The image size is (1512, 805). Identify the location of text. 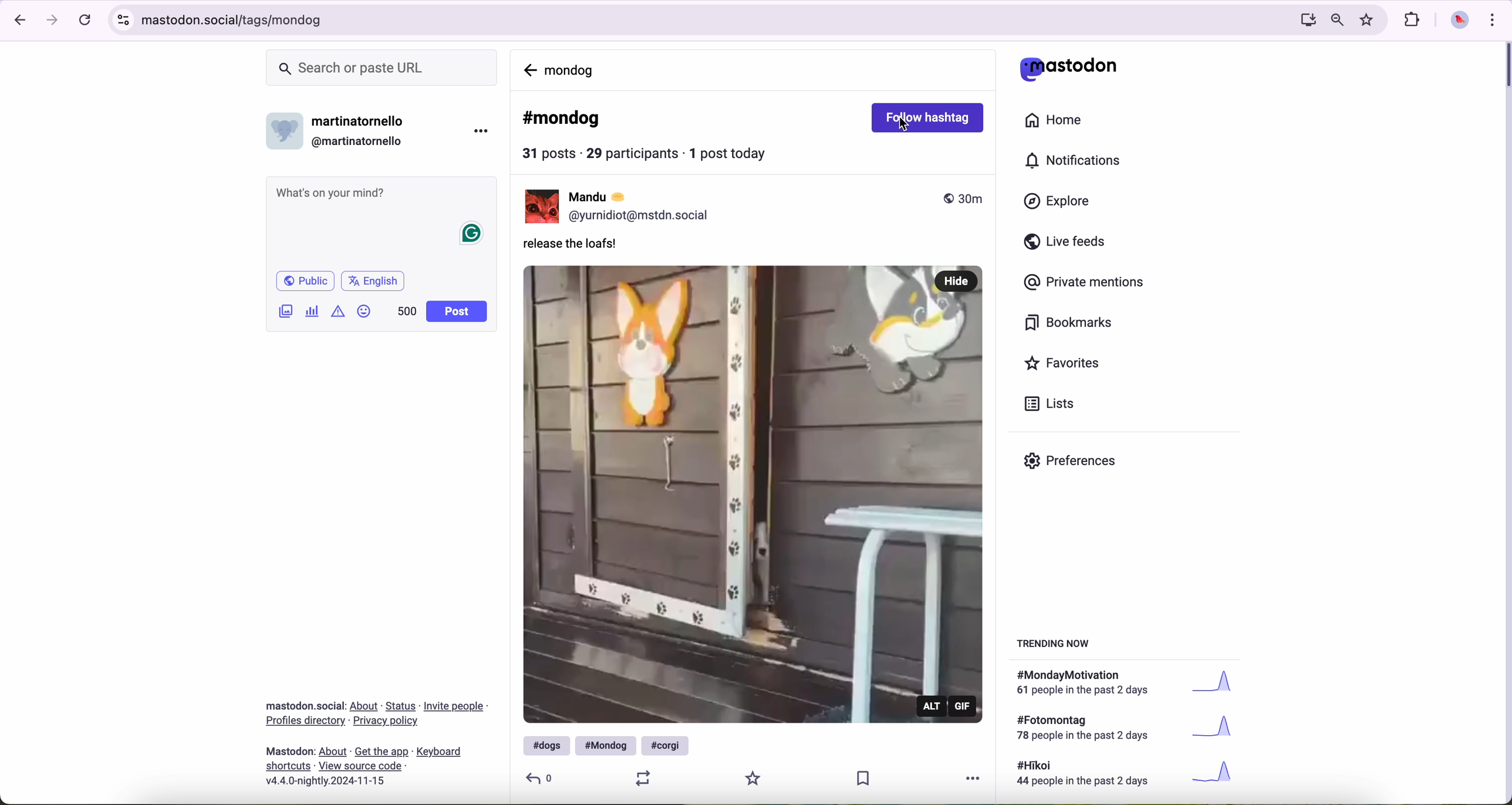
(1089, 684).